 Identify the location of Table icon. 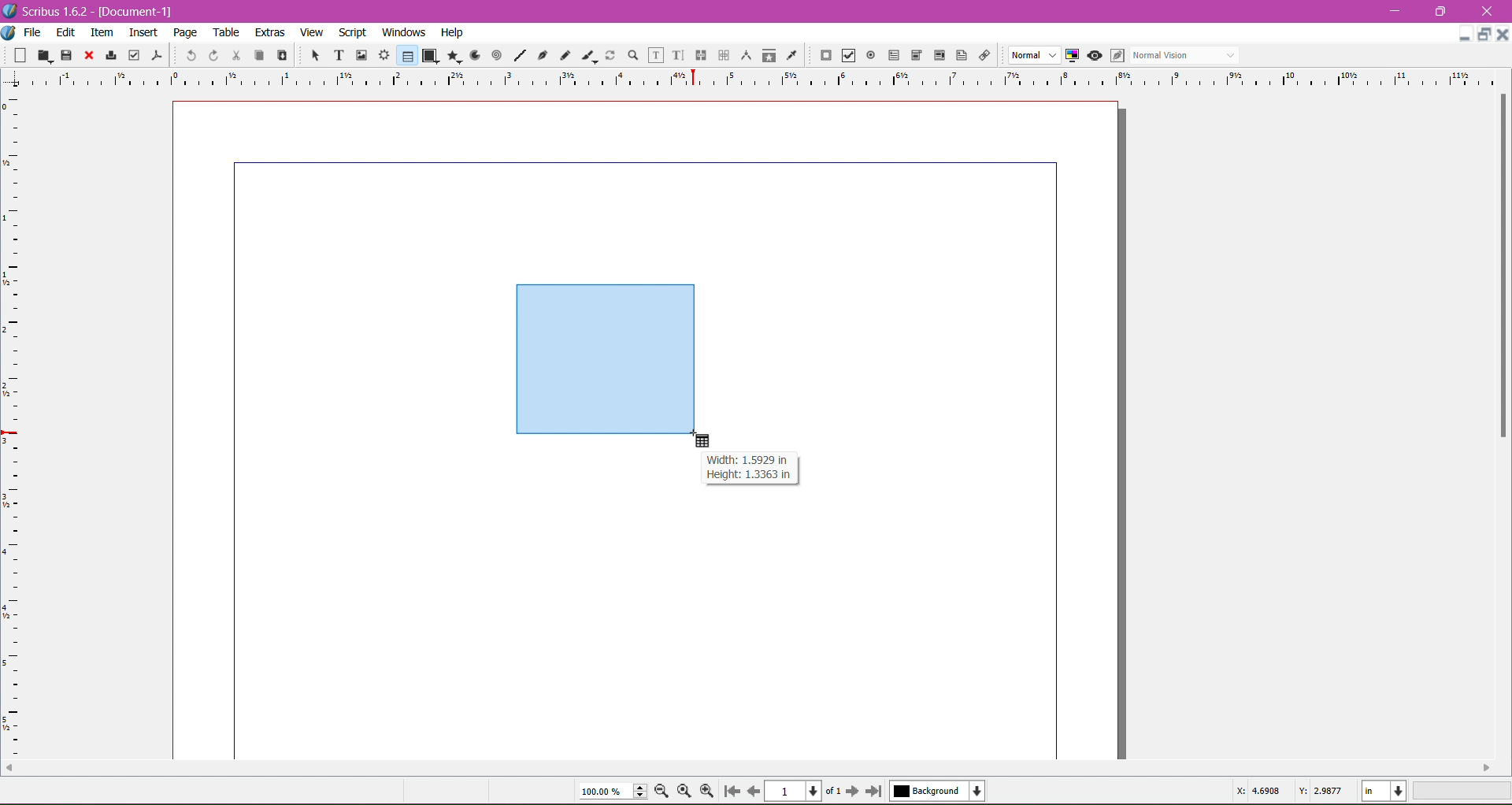
(707, 441).